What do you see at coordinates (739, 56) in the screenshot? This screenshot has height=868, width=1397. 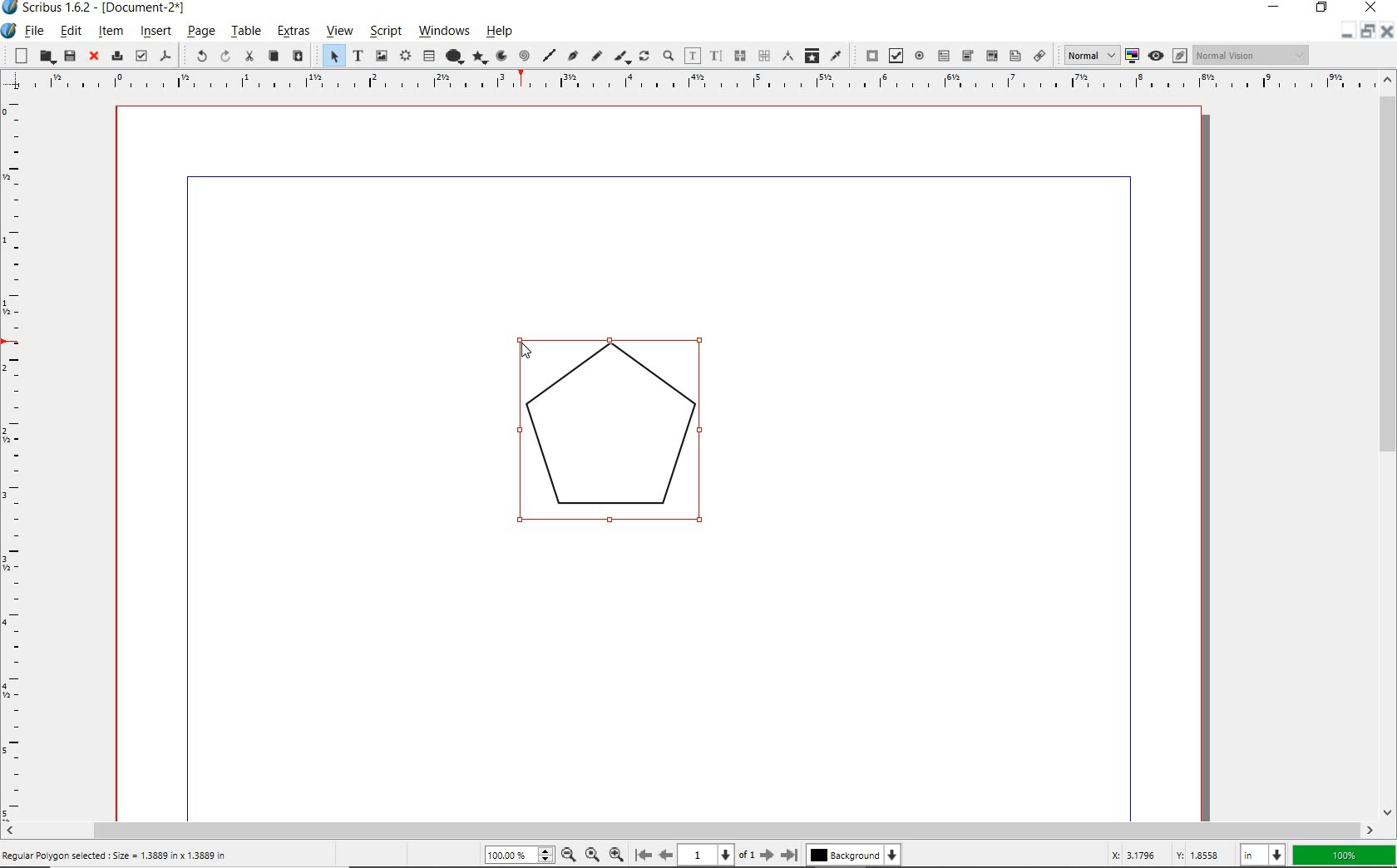 I see `link text frames` at bounding box center [739, 56].